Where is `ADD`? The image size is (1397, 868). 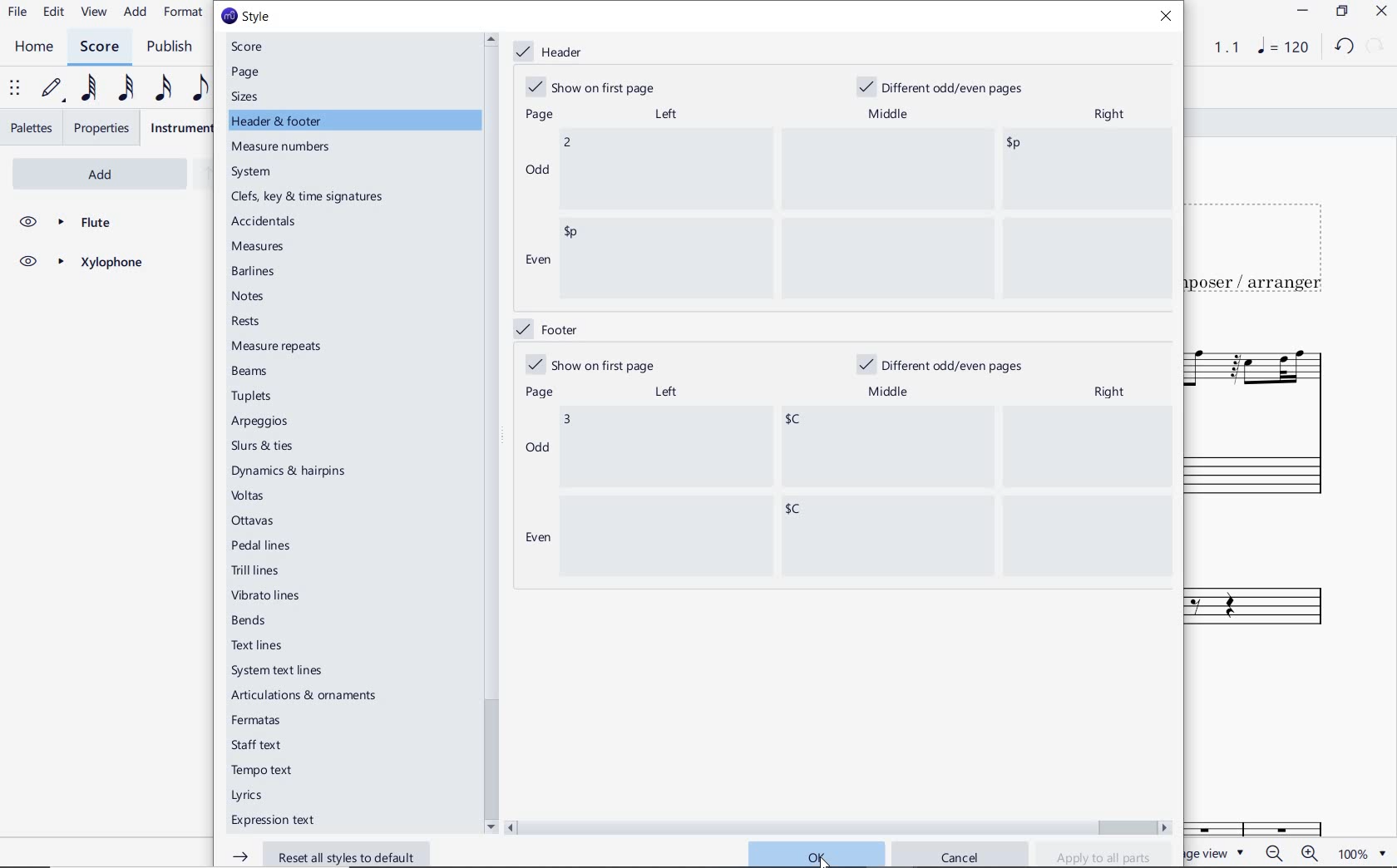
ADD is located at coordinates (136, 12).